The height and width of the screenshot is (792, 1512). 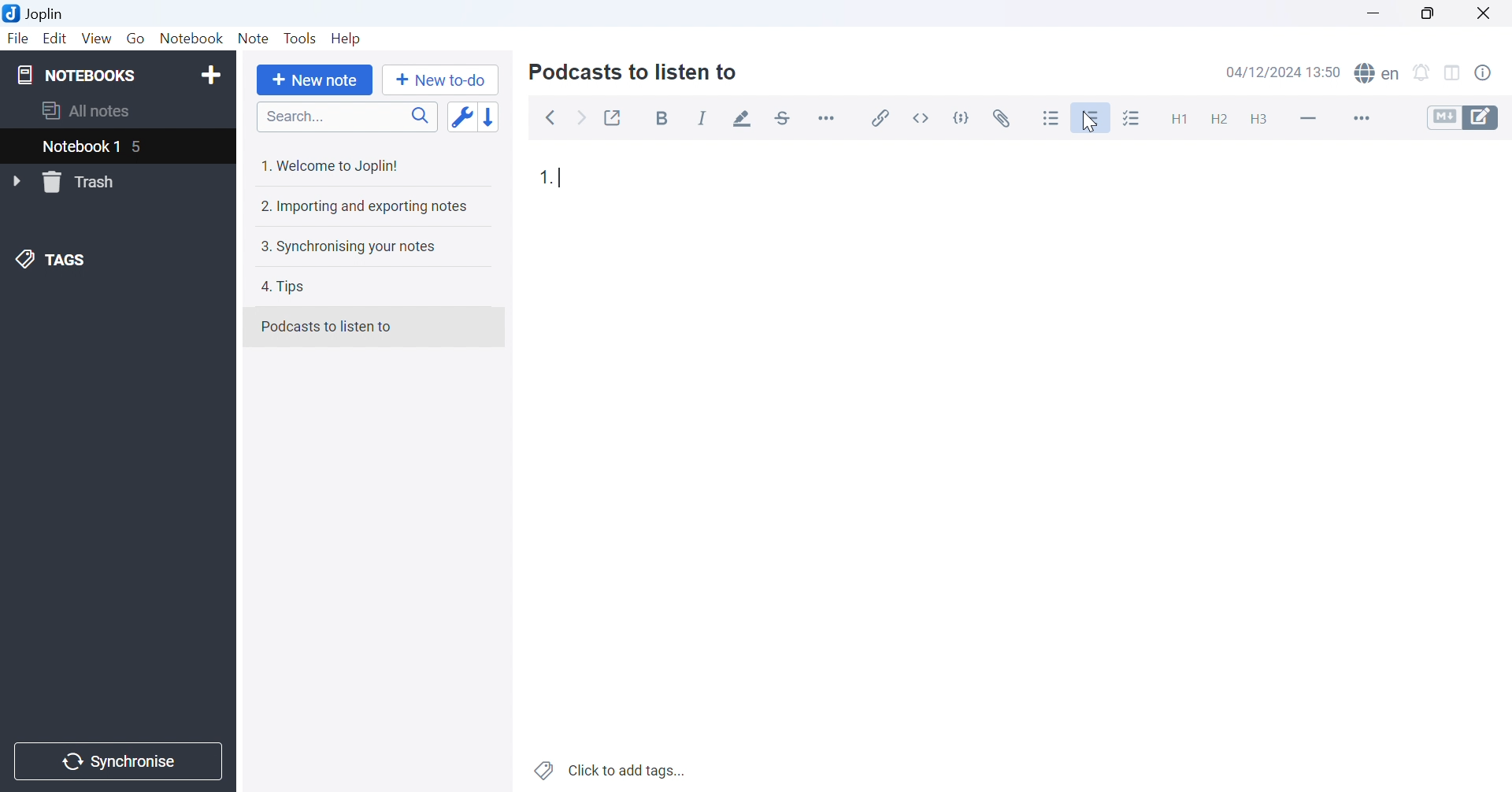 What do you see at coordinates (1004, 116) in the screenshot?
I see `Attach file` at bounding box center [1004, 116].